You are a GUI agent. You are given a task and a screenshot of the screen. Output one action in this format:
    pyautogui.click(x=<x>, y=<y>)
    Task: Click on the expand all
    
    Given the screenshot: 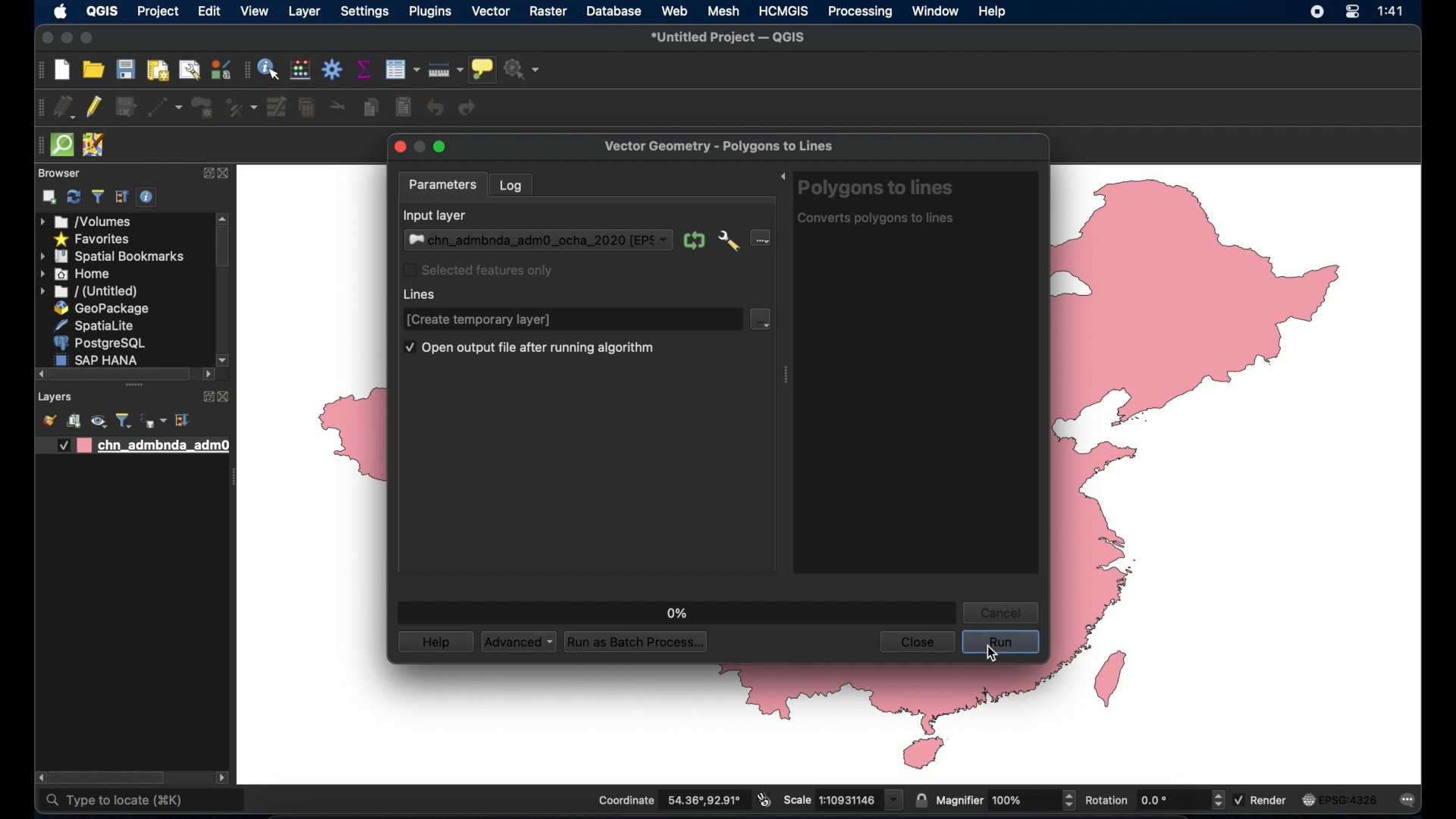 What is the action you would take?
    pyautogui.click(x=122, y=197)
    